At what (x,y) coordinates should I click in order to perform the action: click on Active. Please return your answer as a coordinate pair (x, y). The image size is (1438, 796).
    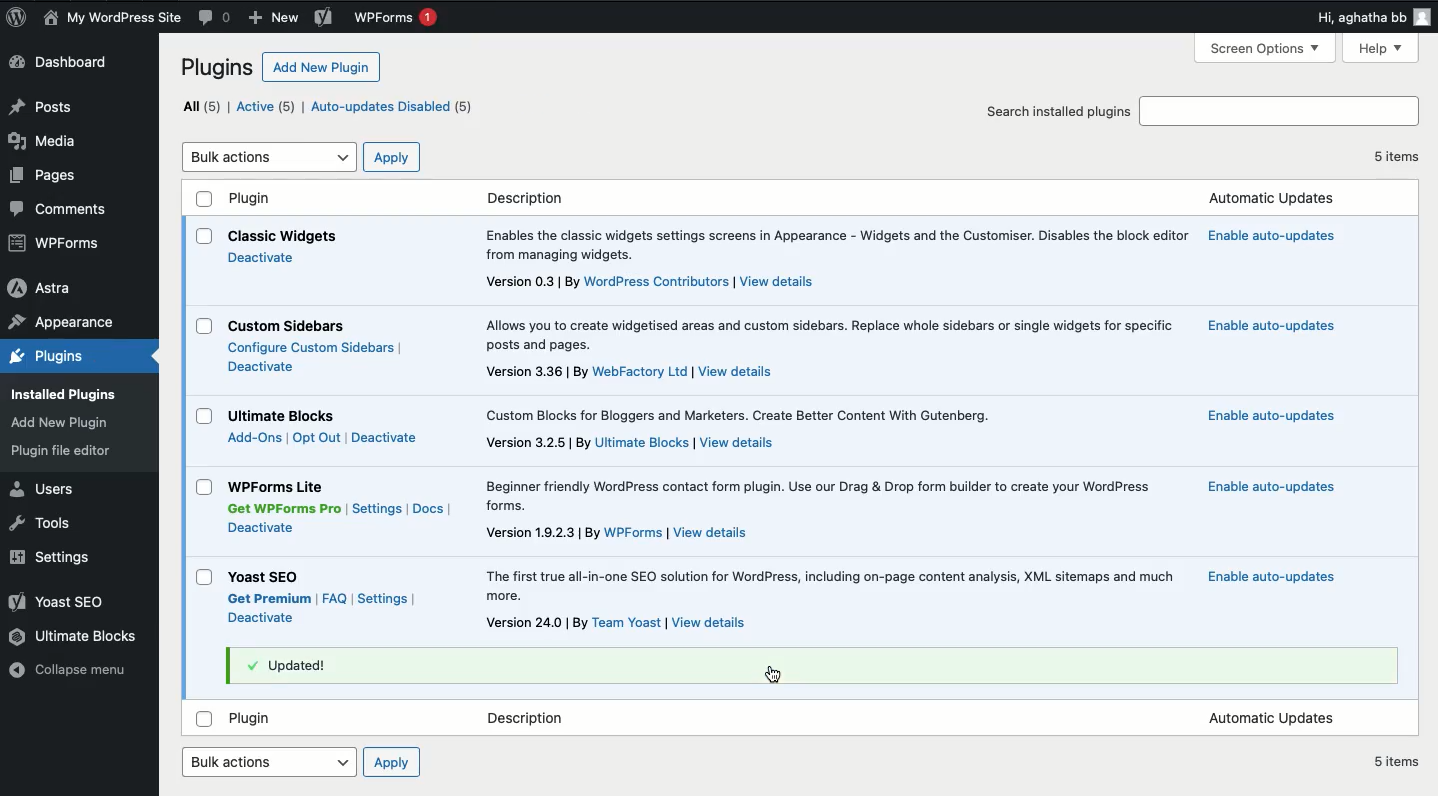
    Looking at the image, I should click on (269, 108).